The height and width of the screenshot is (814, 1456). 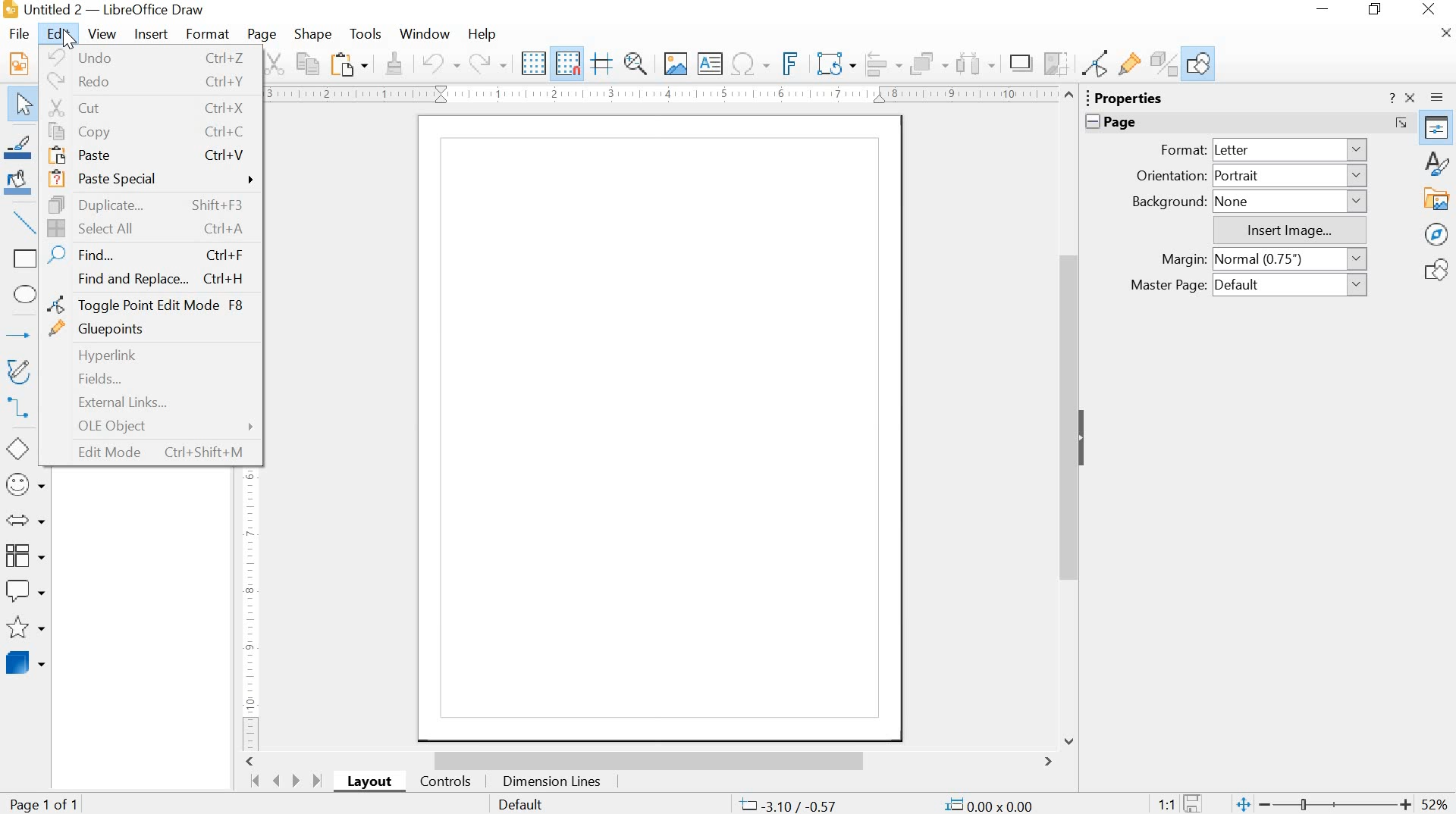 I want to click on Up, so click(x=1071, y=94).